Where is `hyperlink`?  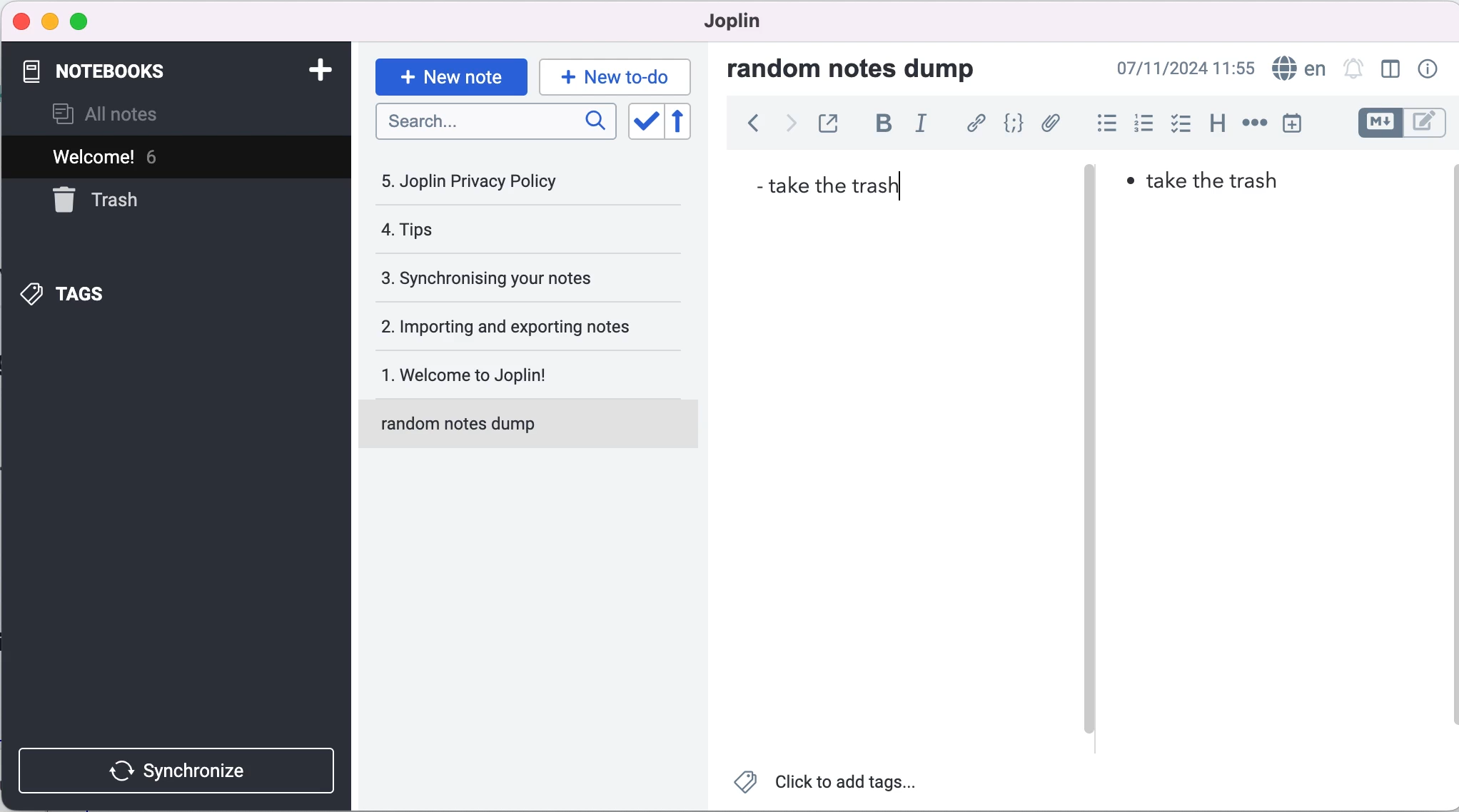 hyperlink is located at coordinates (973, 124).